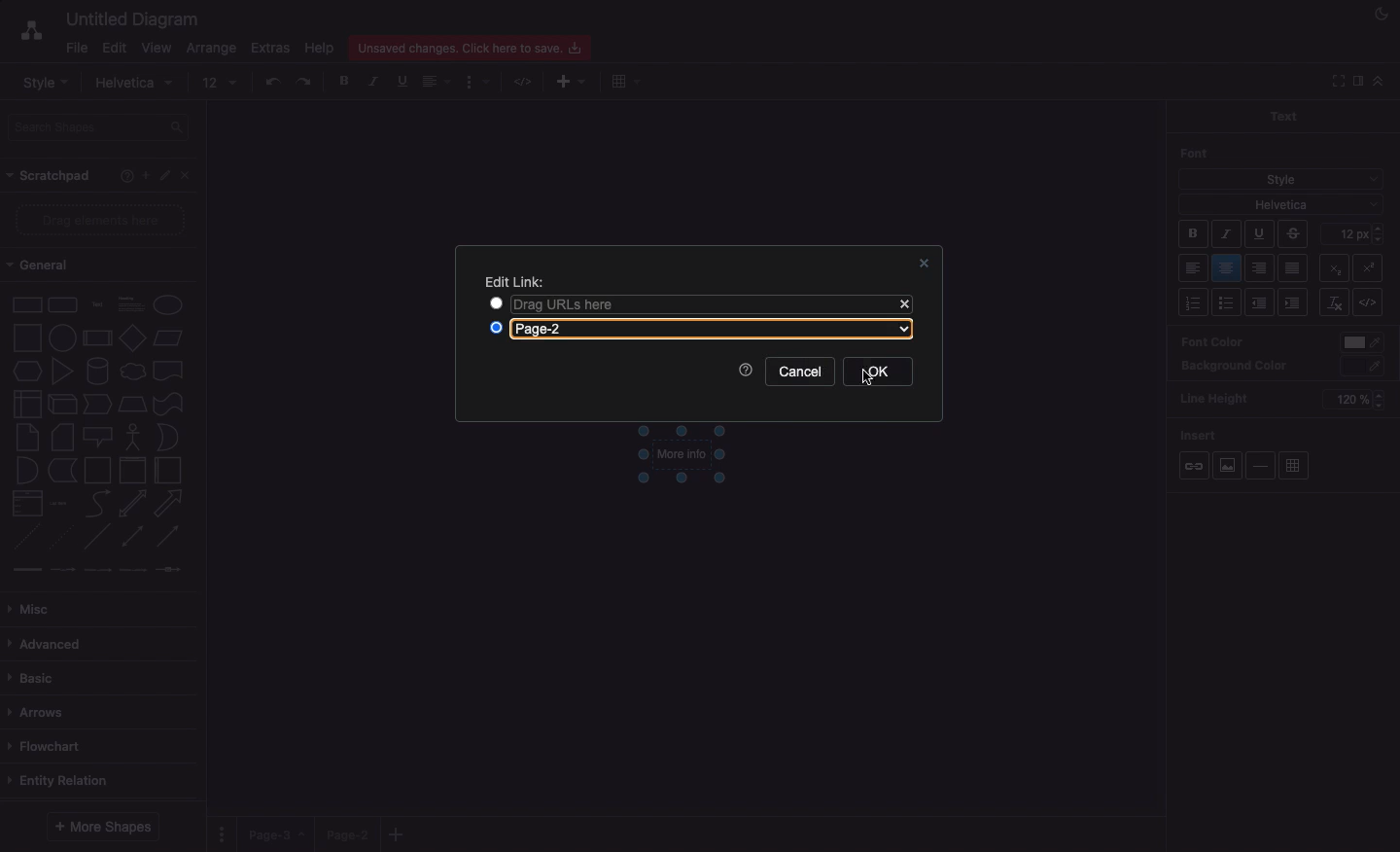 The image size is (1400, 852). I want to click on Insert, so click(1200, 432).